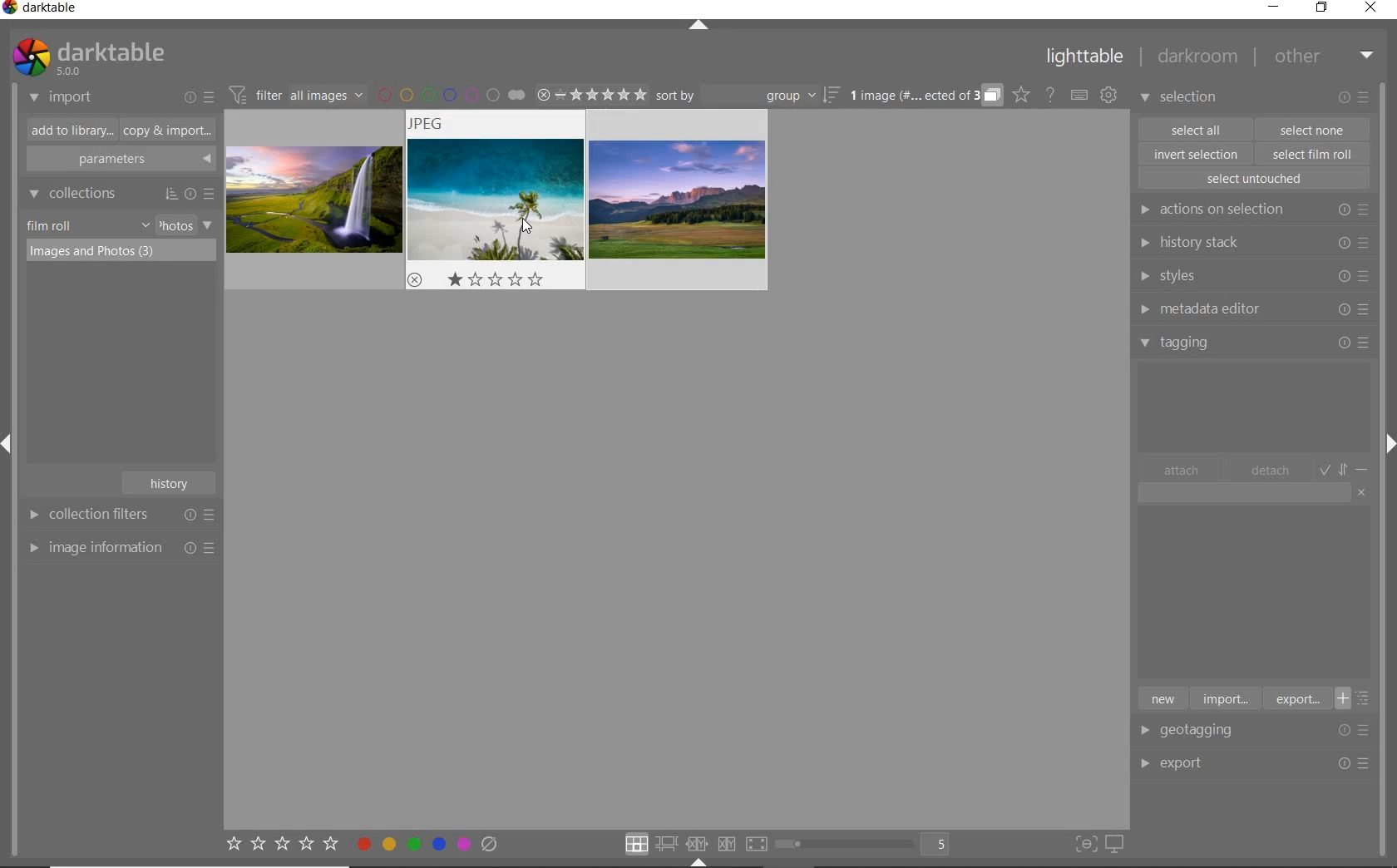 The height and width of the screenshot is (868, 1397). What do you see at coordinates (1050, 94) in the screenshot?
I see `help online` at bounding box center [1050, 94].